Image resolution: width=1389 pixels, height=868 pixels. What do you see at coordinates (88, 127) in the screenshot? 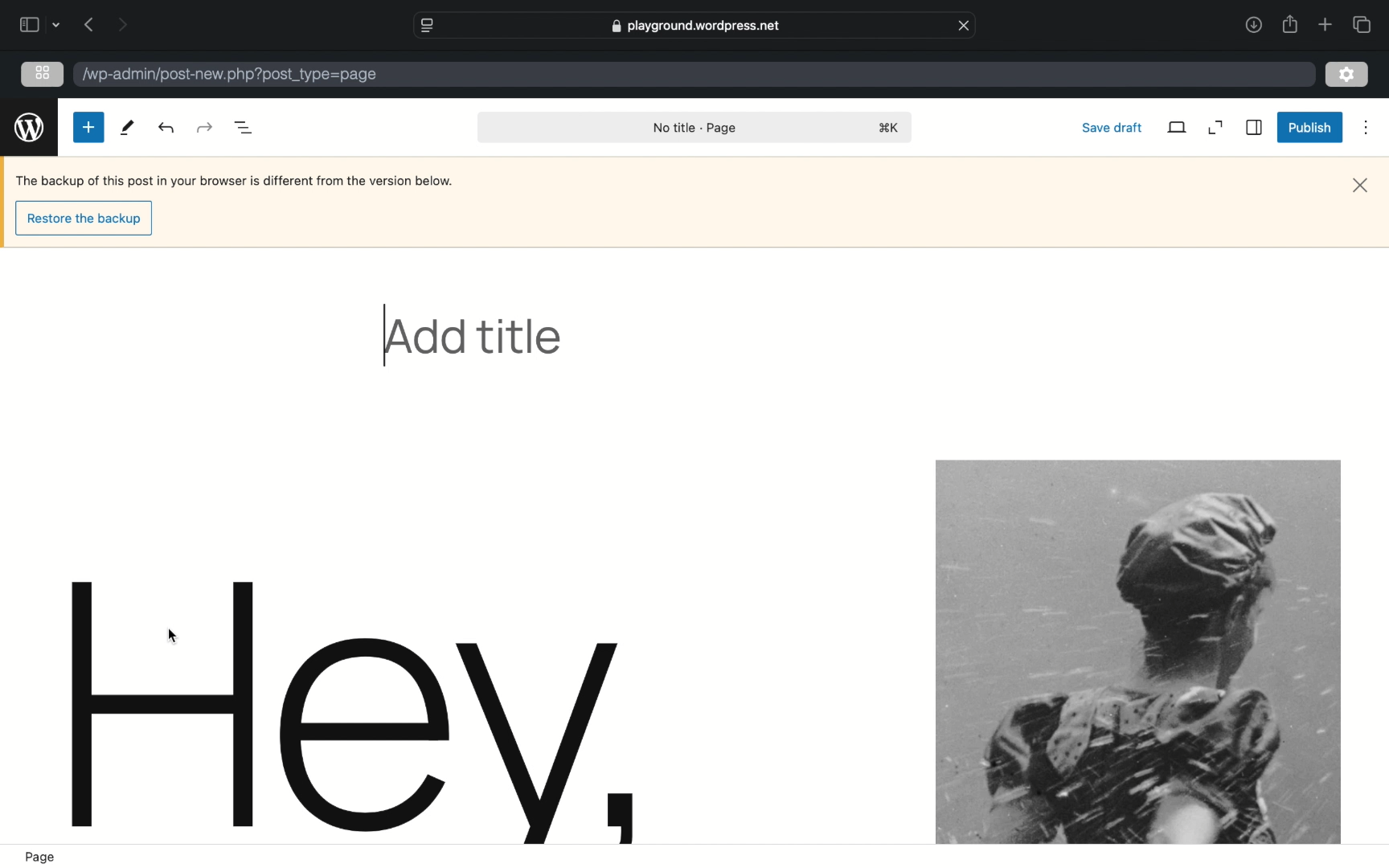
I see `new` at bounding box center [88, 127].